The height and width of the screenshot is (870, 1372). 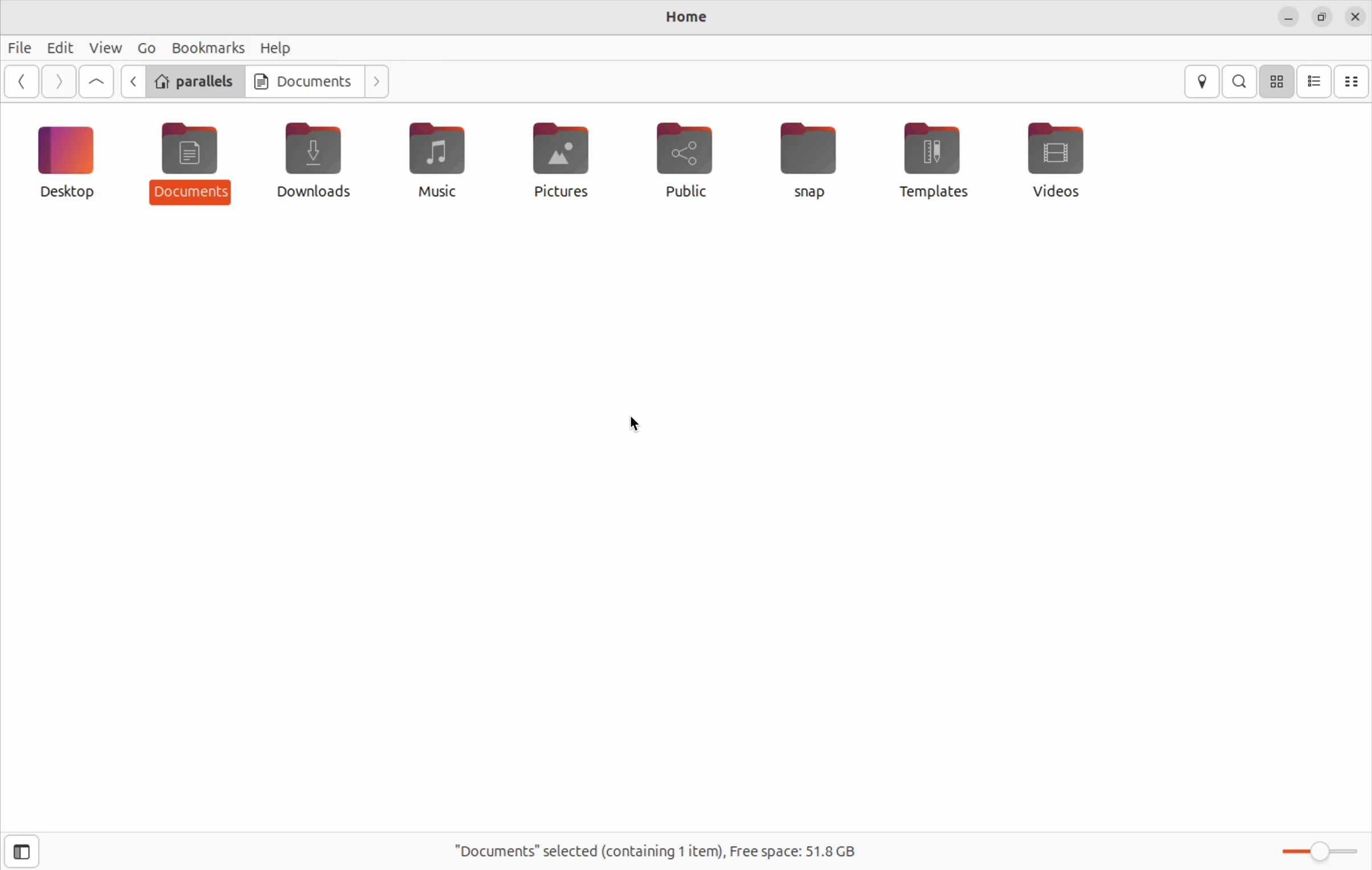 What do you see at coordinates (1324, 18) in the screenshot?
I see `resize` at bounding box center [1324, 18].